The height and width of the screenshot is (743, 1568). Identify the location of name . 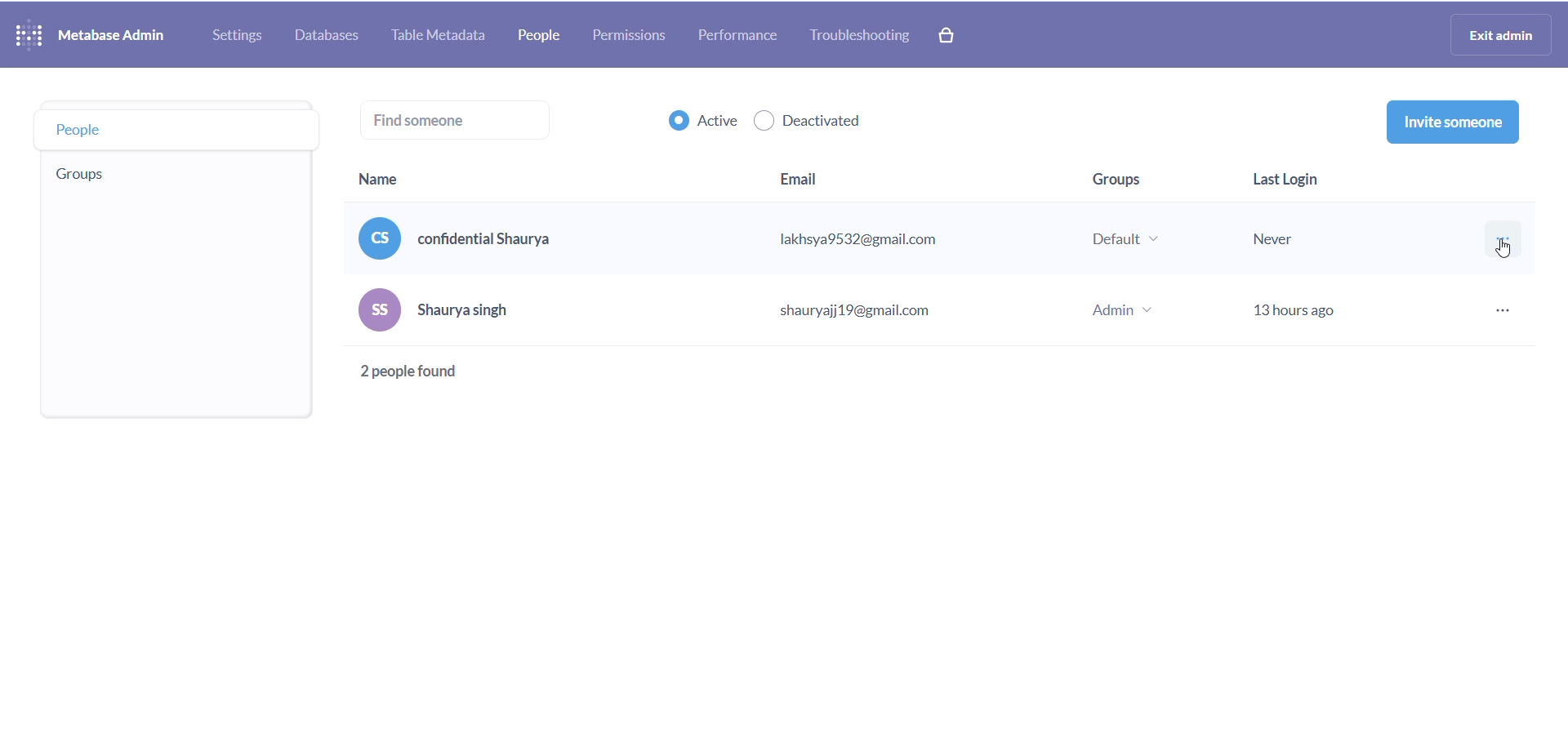
(449, 242).